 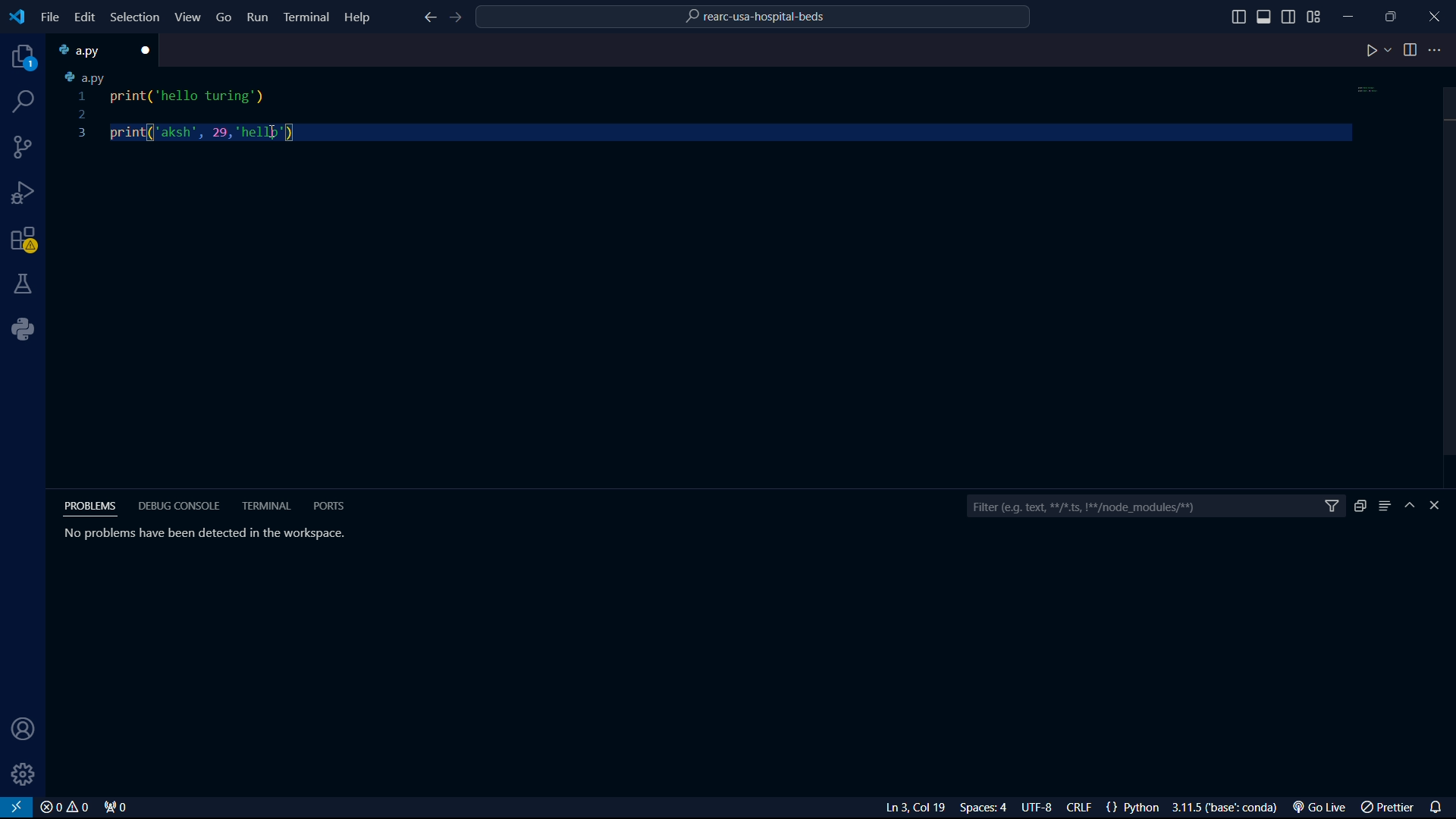 What do you see at coordinates (306, 16) in the screenshot?
I see `Terminal` at bounding box center [306, 16].